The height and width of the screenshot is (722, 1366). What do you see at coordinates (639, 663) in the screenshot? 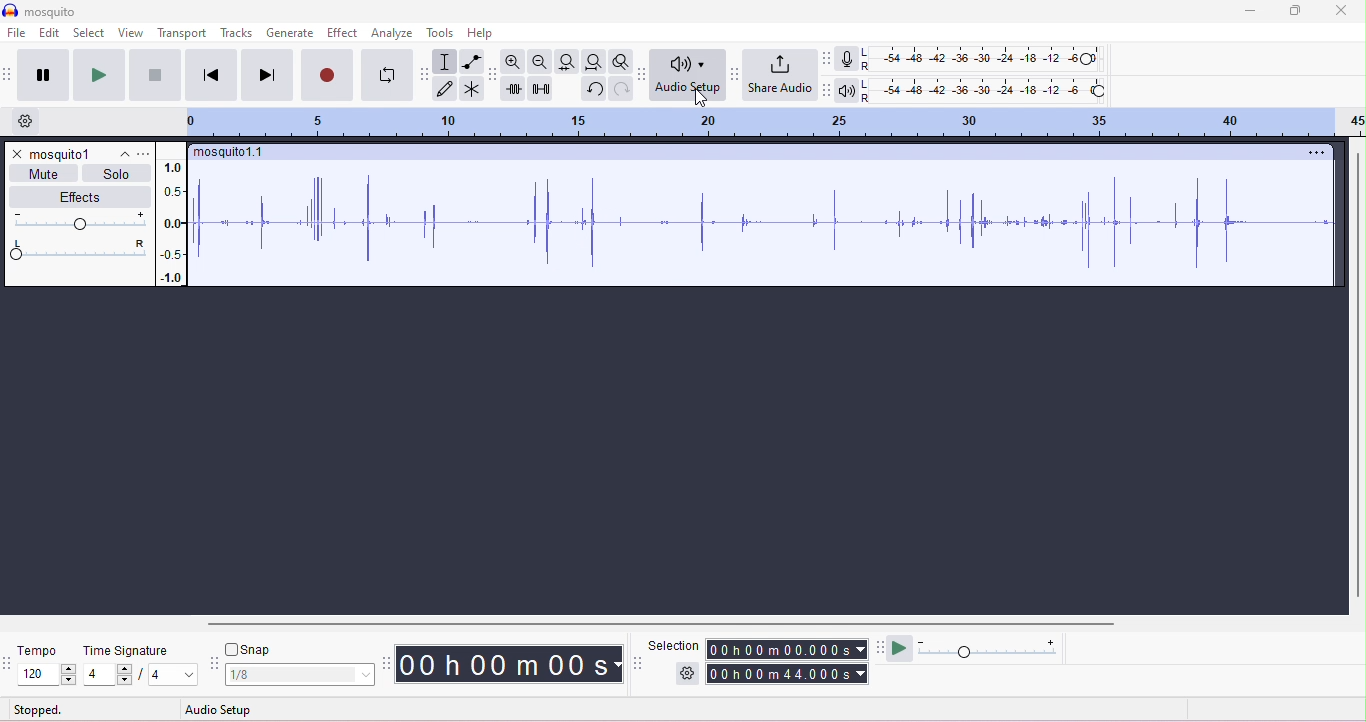
I see `selection tool bar` at bounding box center [639, 663].